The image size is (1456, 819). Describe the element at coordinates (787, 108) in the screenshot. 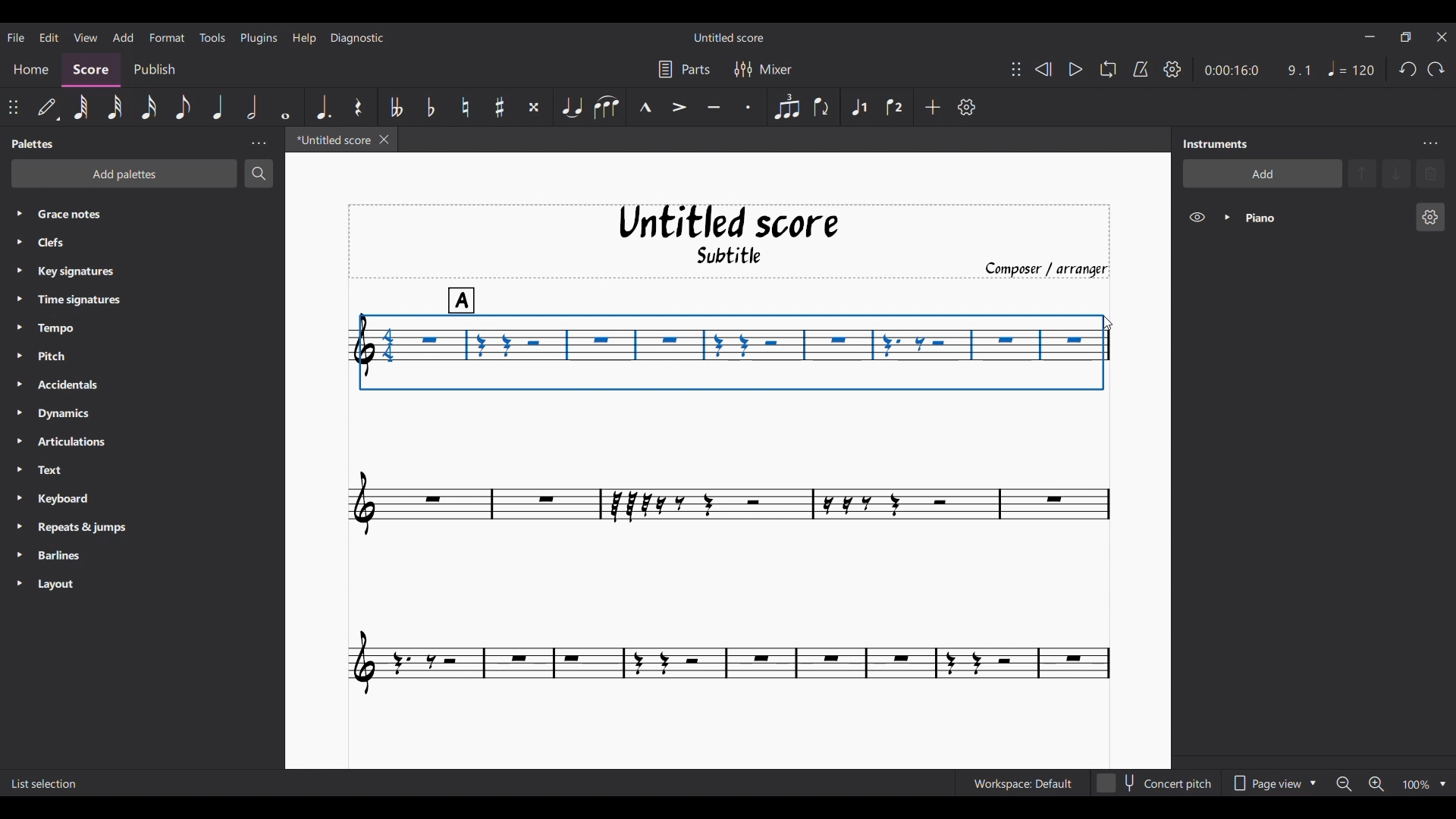

I see `Tuplet` at that location.